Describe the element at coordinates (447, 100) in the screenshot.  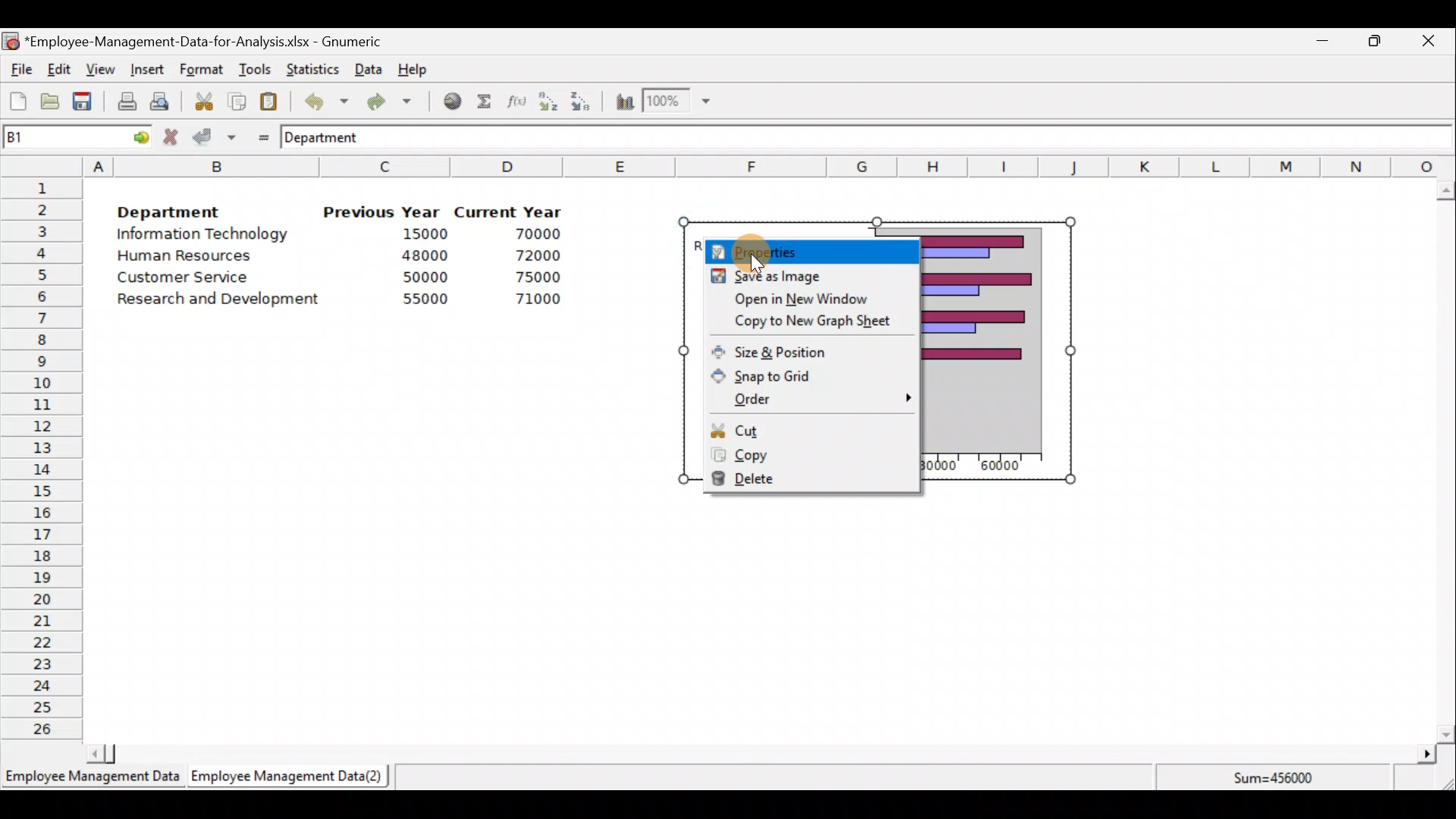
I see `Insert hyperlink` at that location.